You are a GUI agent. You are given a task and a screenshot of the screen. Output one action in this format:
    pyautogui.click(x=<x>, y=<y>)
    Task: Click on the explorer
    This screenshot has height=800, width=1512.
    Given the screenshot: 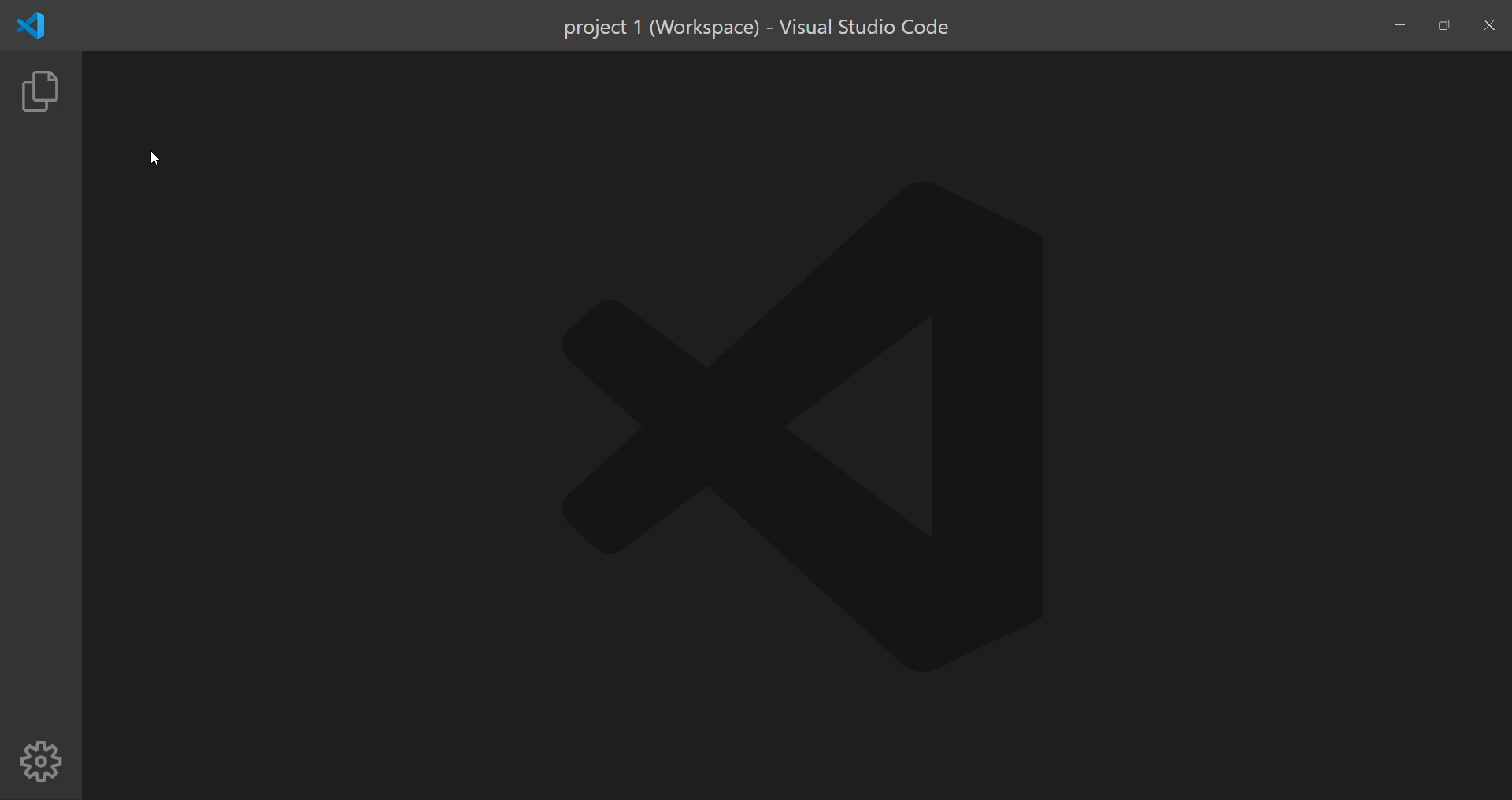 What is the action you would take?
    pyautogui.click(x=41, y=96)
    